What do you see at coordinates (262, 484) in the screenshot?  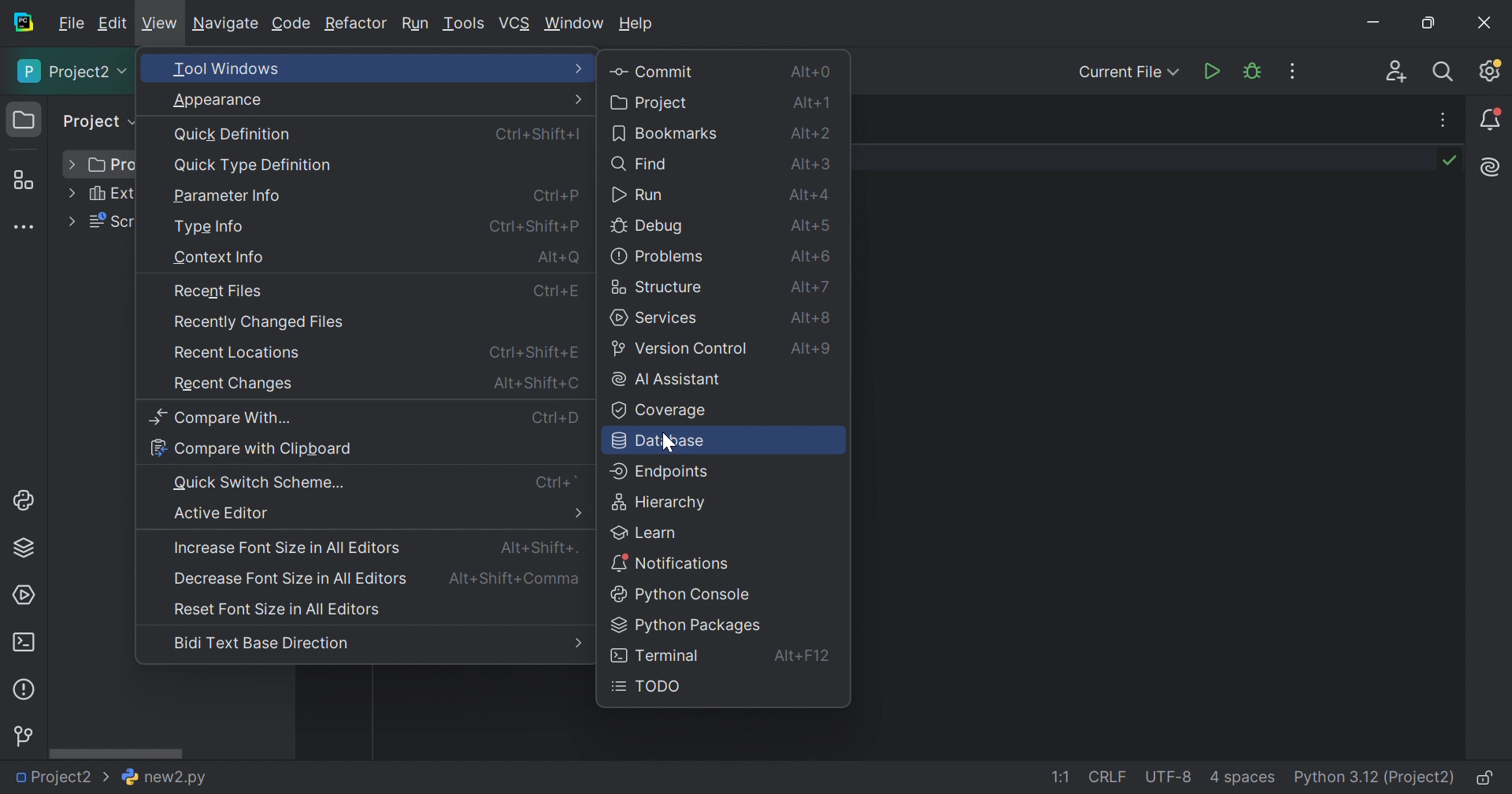 I see `Quick switch scheme` at bounding box center [262, 484].